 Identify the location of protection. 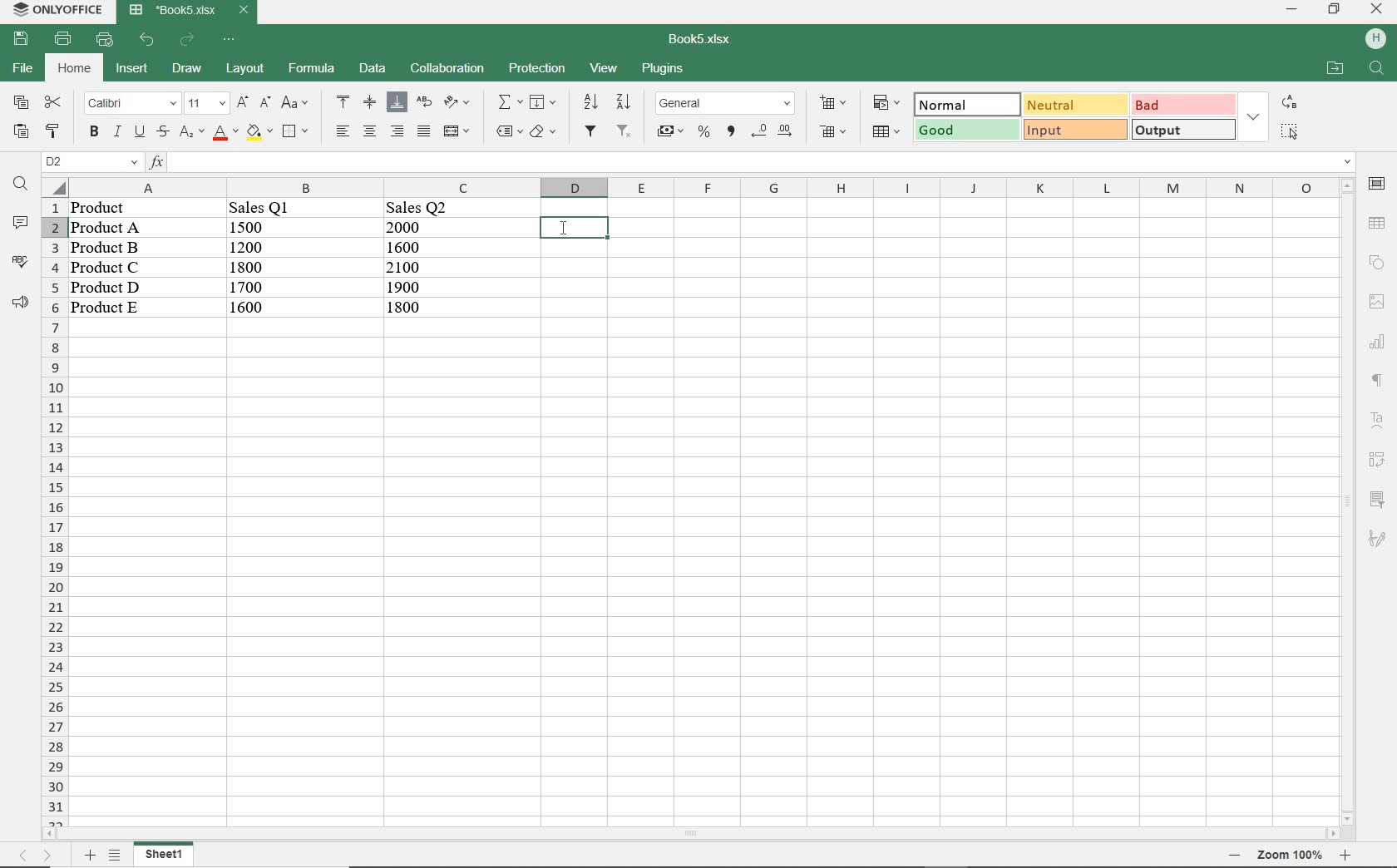
(539, 68).